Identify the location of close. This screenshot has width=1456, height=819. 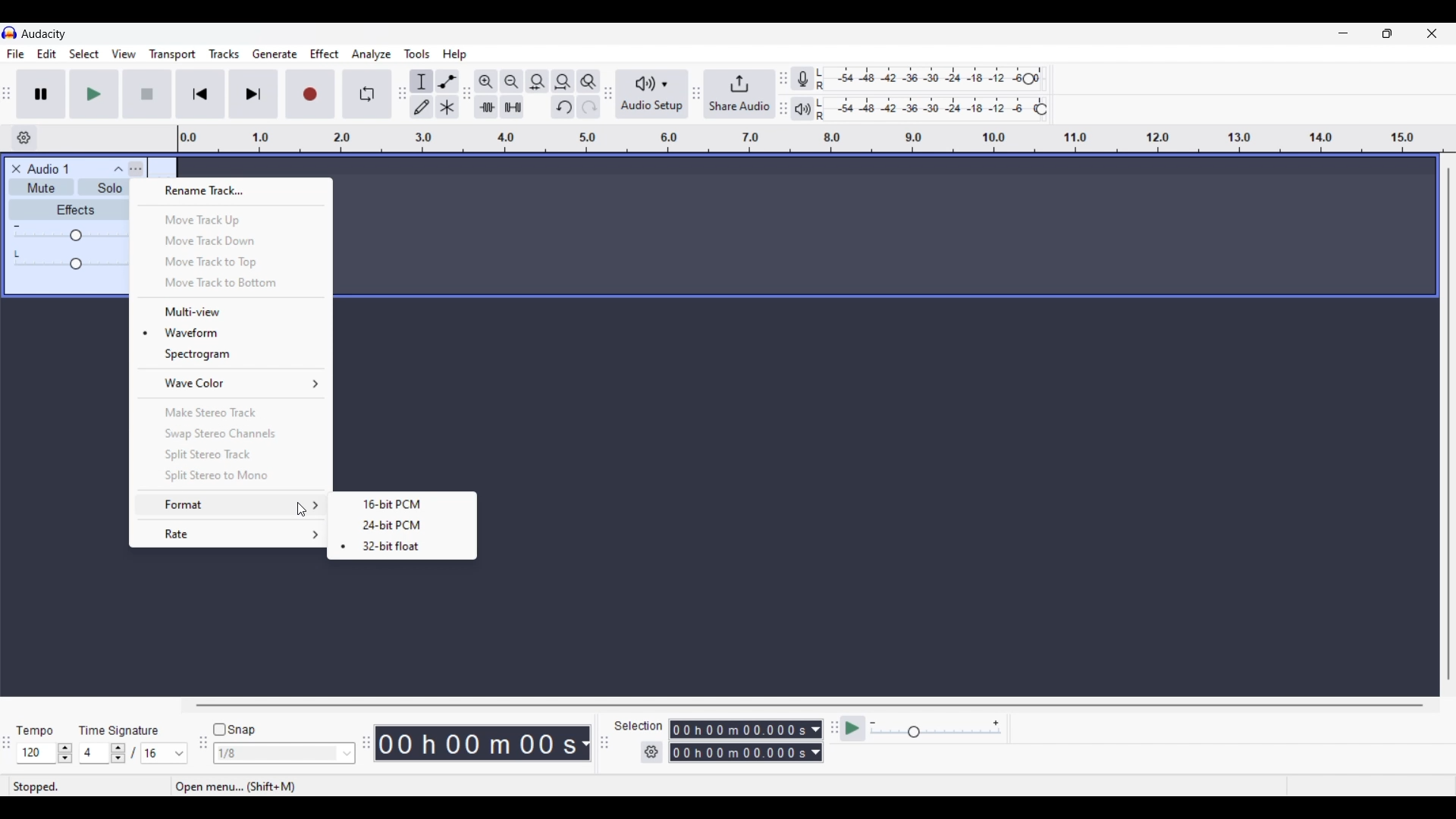
(14, 168).